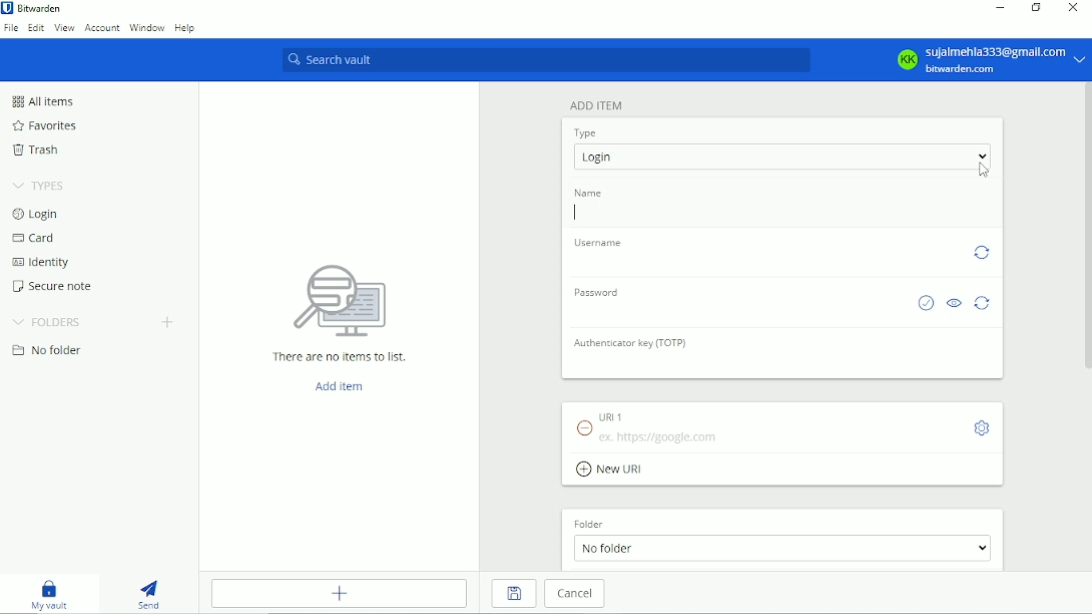 Image resolution: width=1092 pixels, height=614 pixels. I want to click on Login, so click(37, 213).